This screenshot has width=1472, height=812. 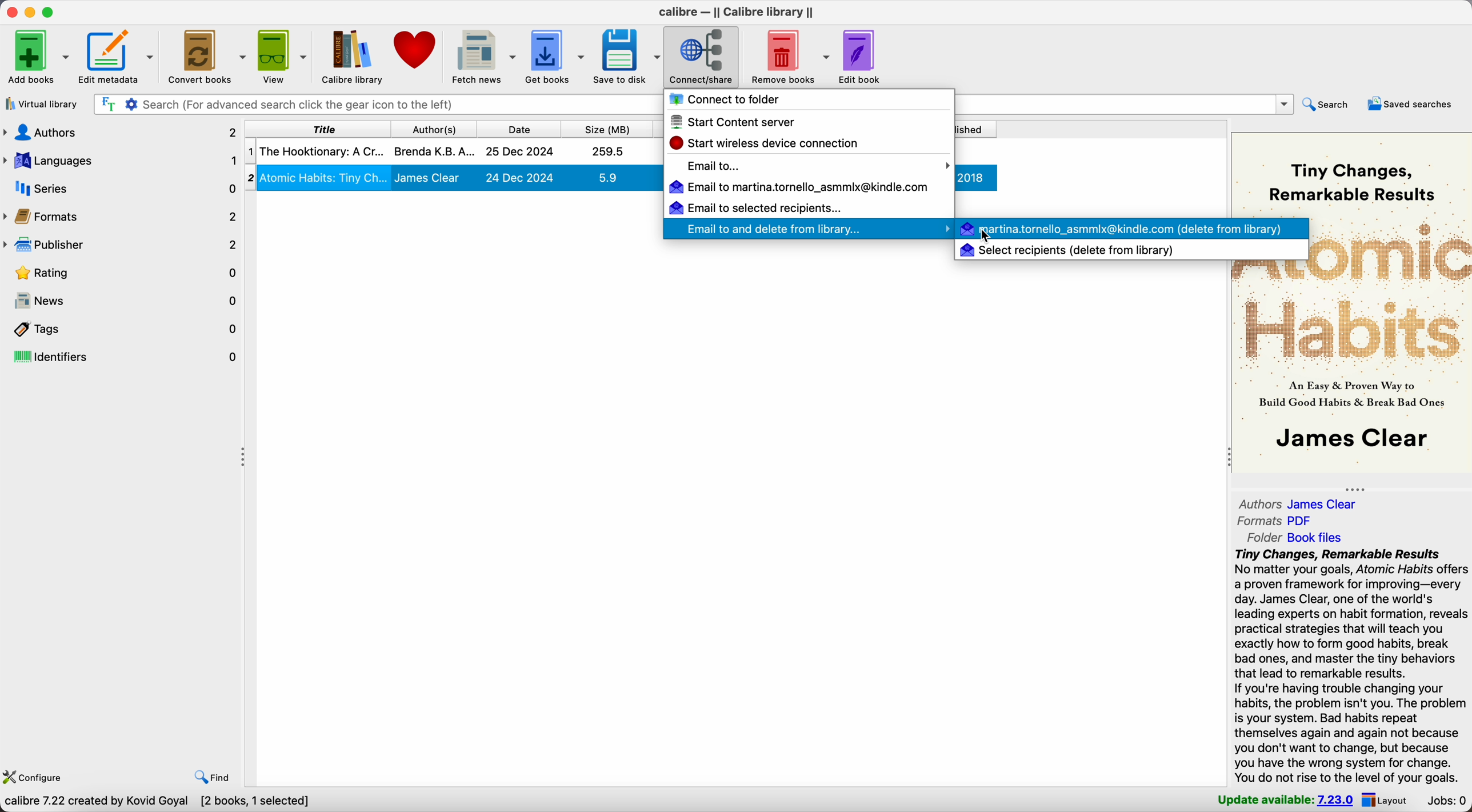 What do you see at coordinates (37, 776) in the screenshot?
I see `configure` at bounding box center [37, 776].